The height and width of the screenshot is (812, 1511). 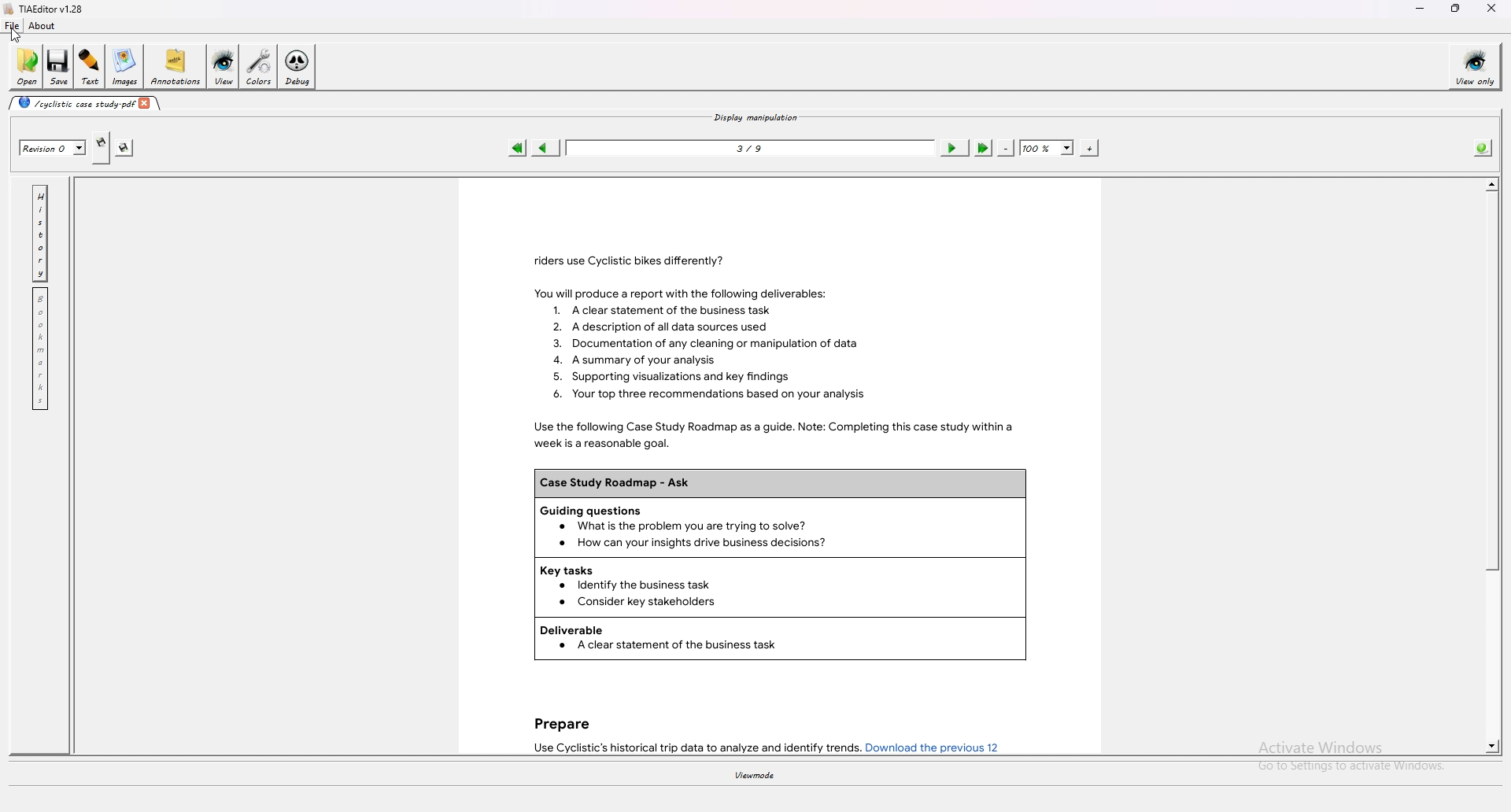 I want to click on viewmode, so click(x=754, y=776).